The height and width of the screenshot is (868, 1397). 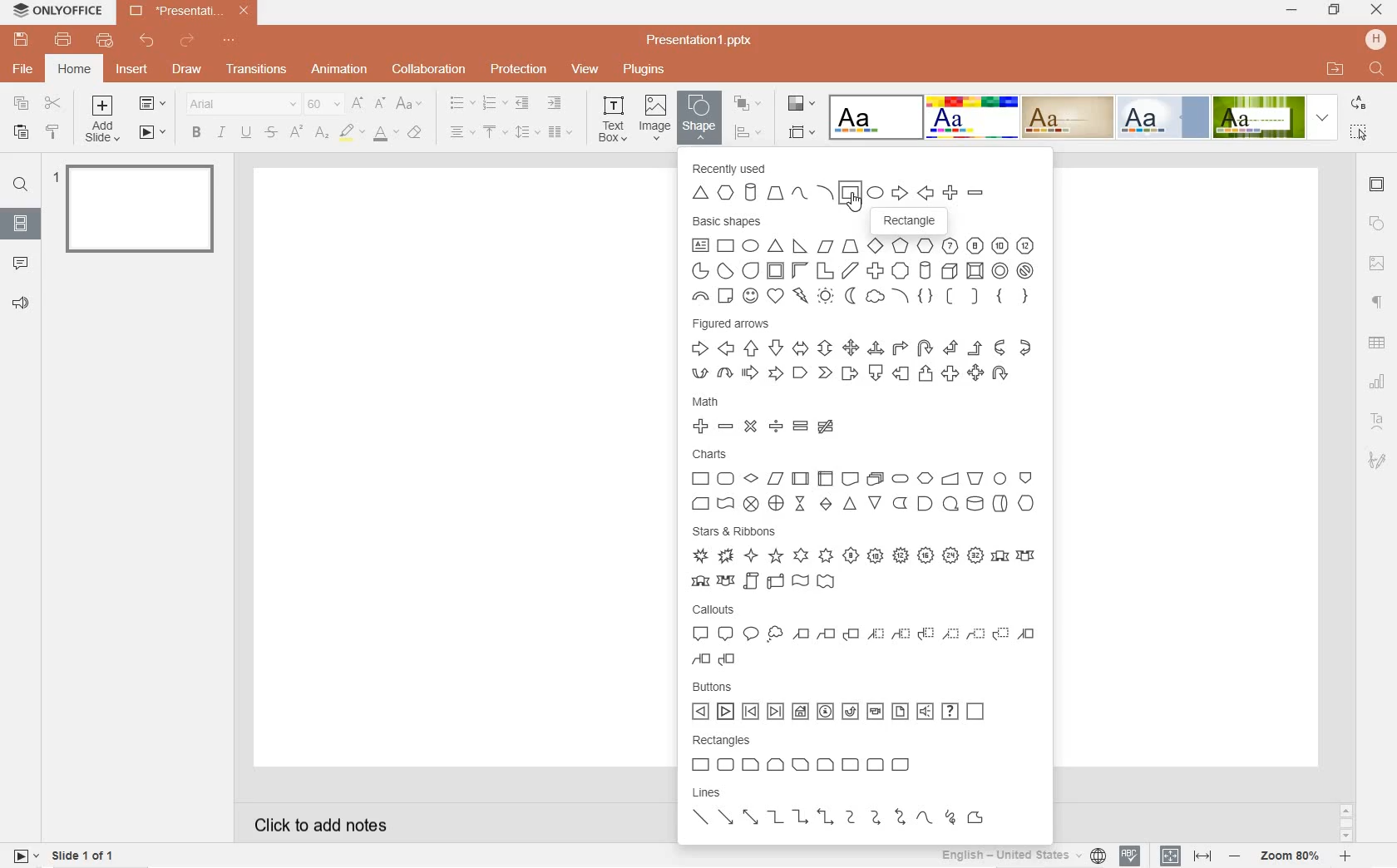 I want to click on Snip same side corner rectangle, so click(x=776, y=765).